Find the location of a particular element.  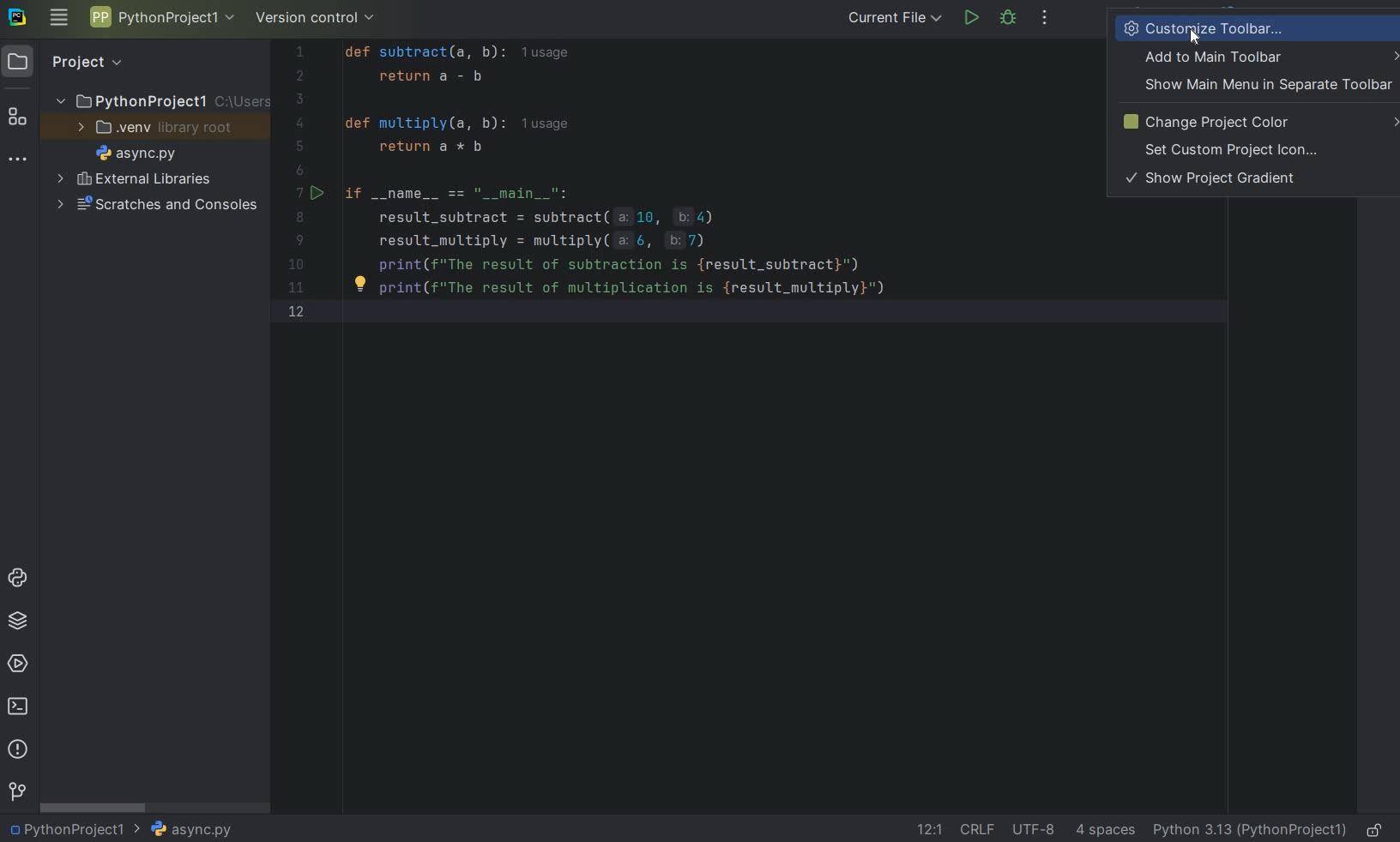

FILE NAME is located at coordinates (190, 830).